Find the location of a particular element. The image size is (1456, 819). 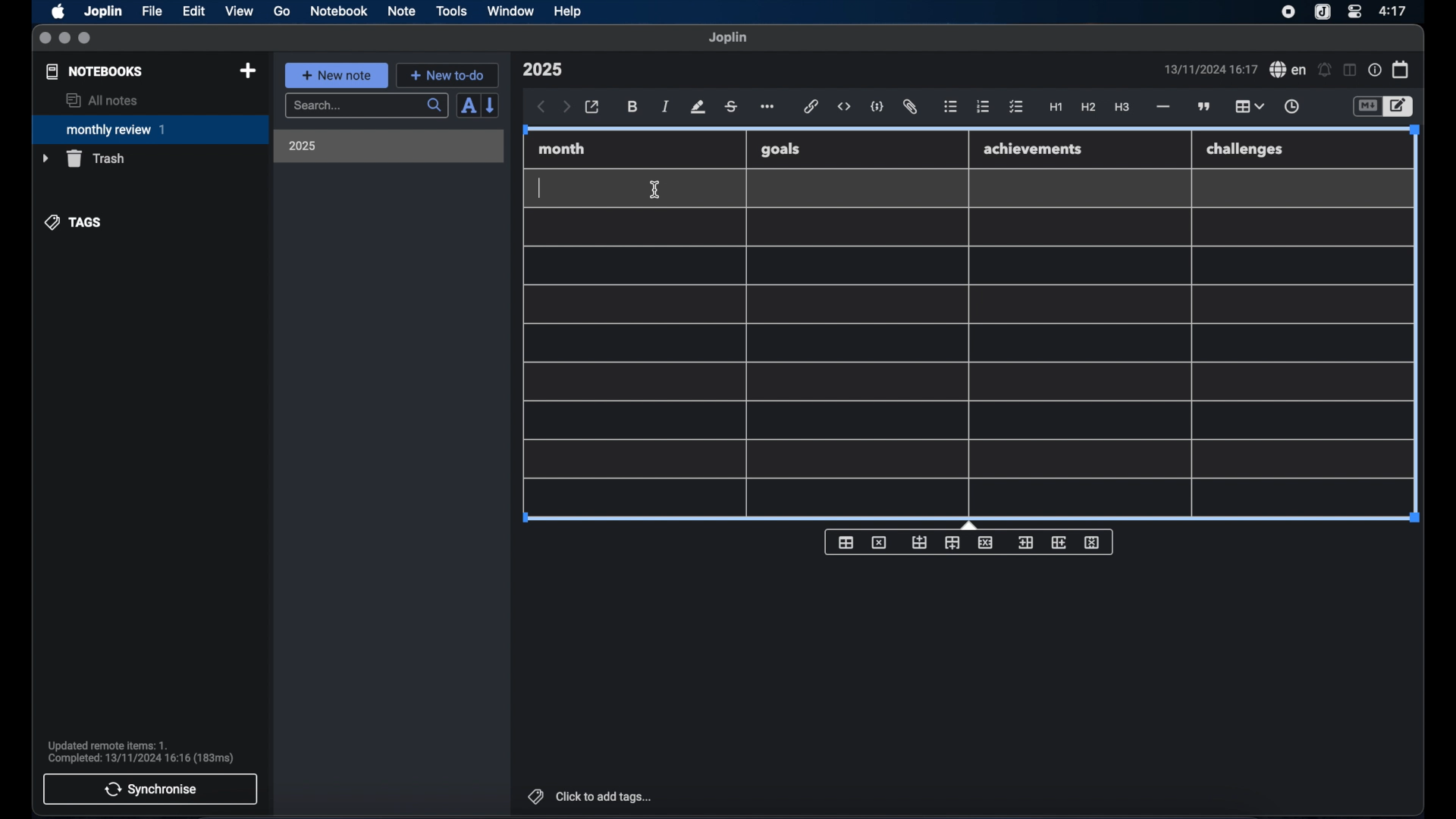

delete table is located at coordinates (879, 543).